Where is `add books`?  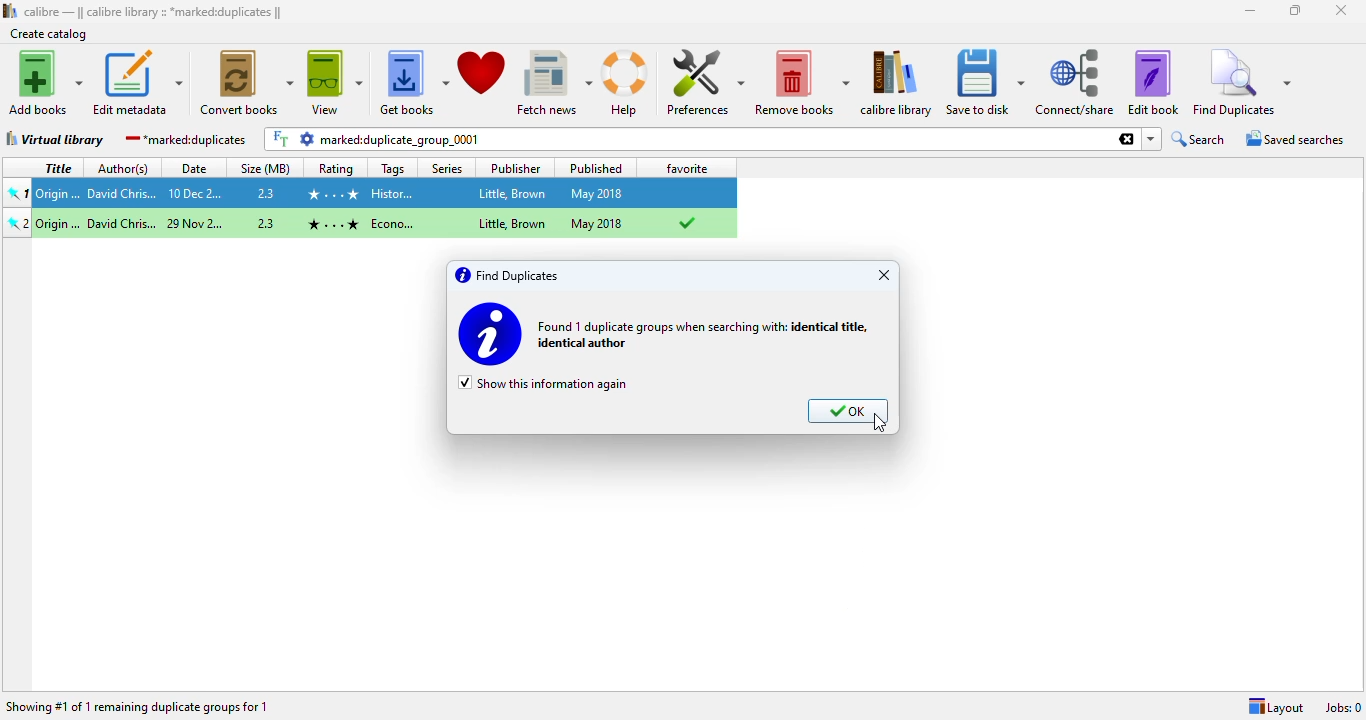
add books is located at coordinates (46, 82).